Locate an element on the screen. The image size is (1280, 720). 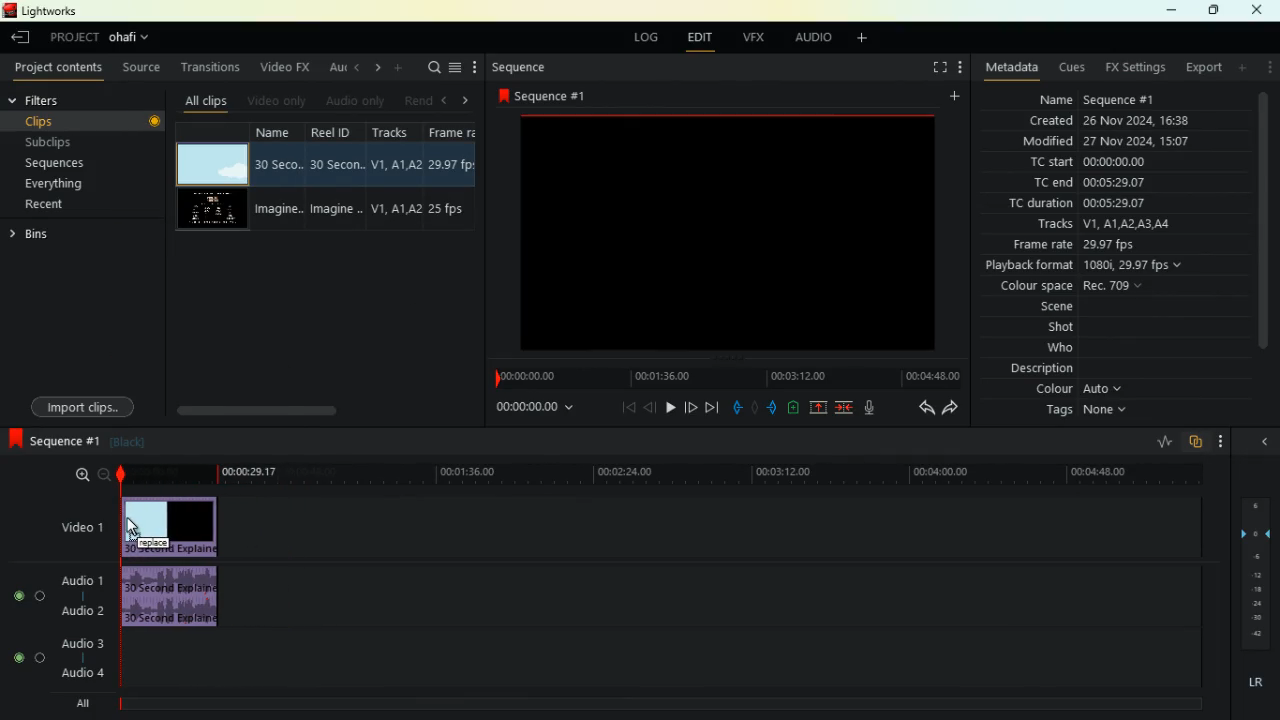
push is located at coordinates (771, 407).